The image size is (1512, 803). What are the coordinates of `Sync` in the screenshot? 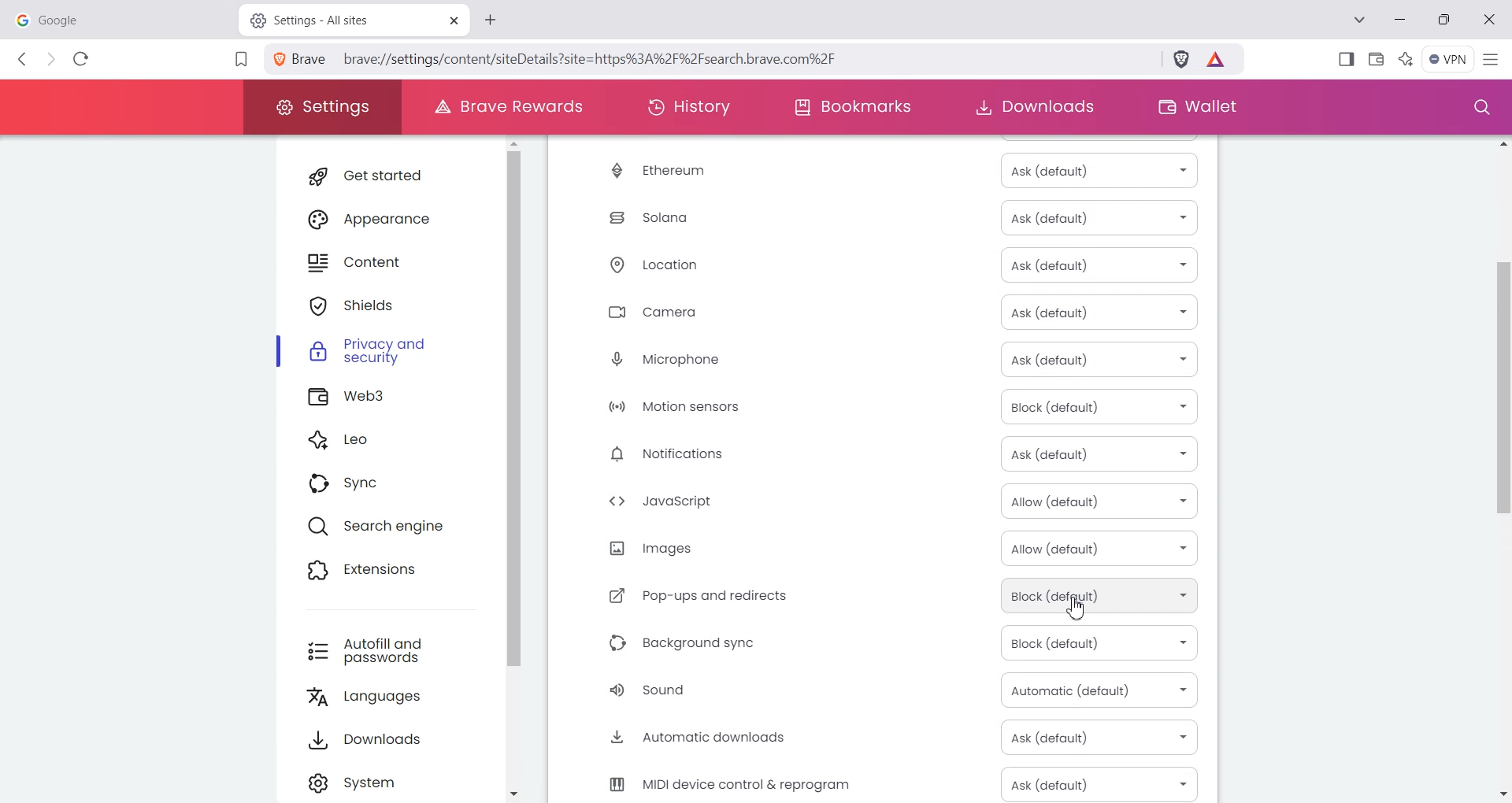 It's located at (387, 485).